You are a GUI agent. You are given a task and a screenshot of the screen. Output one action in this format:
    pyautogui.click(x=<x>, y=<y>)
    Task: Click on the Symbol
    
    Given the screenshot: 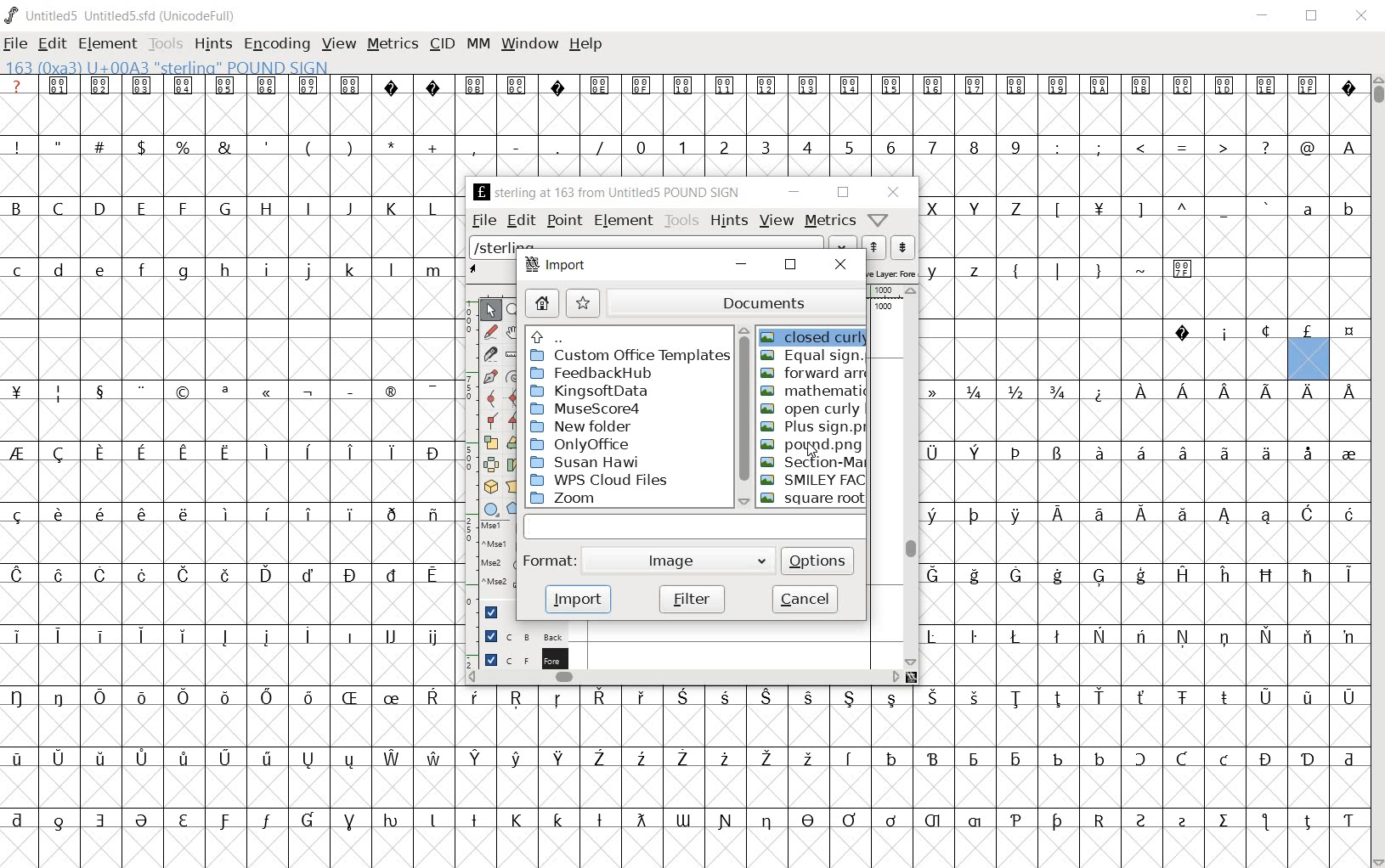 What is the action you would take?
    pyautogui.click(x=478, y=697)
    